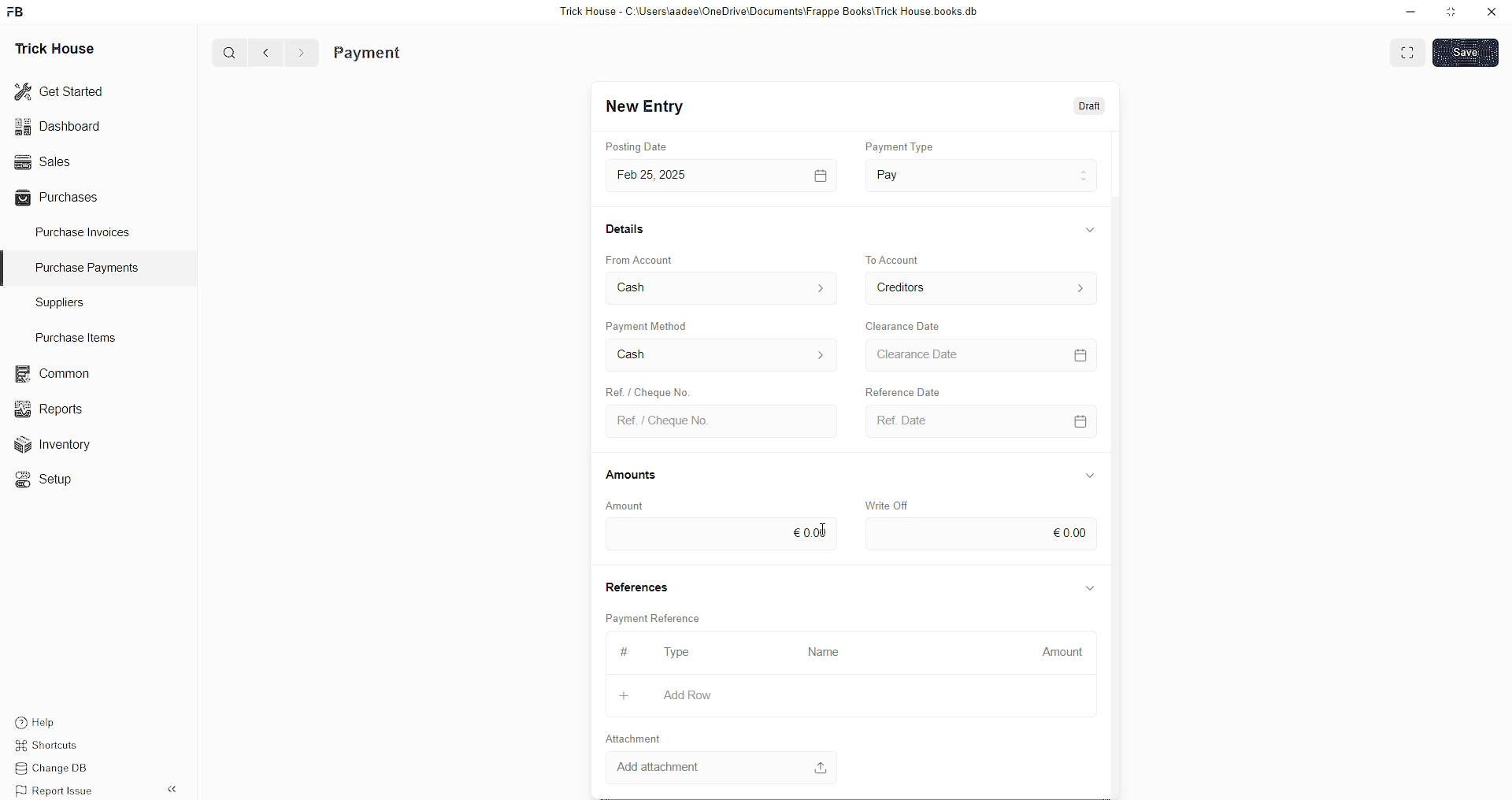 This screenshot has height=800, width=1512. Describe the element at coordinates (897, 422) in the screenshot. I see `Ref. Date` at that location.